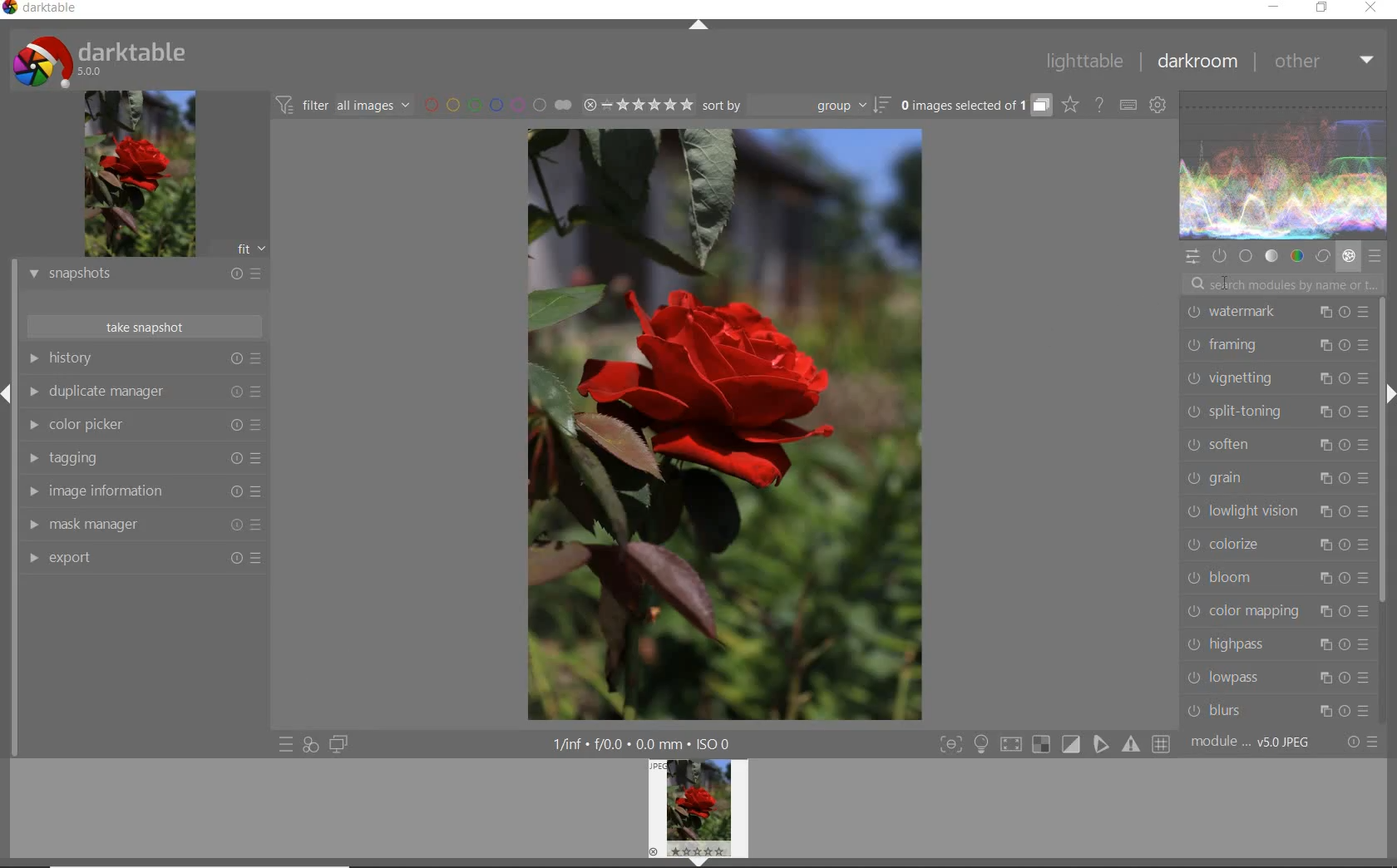  I want to click on reset or presets and preferences, so click(1363, 742).